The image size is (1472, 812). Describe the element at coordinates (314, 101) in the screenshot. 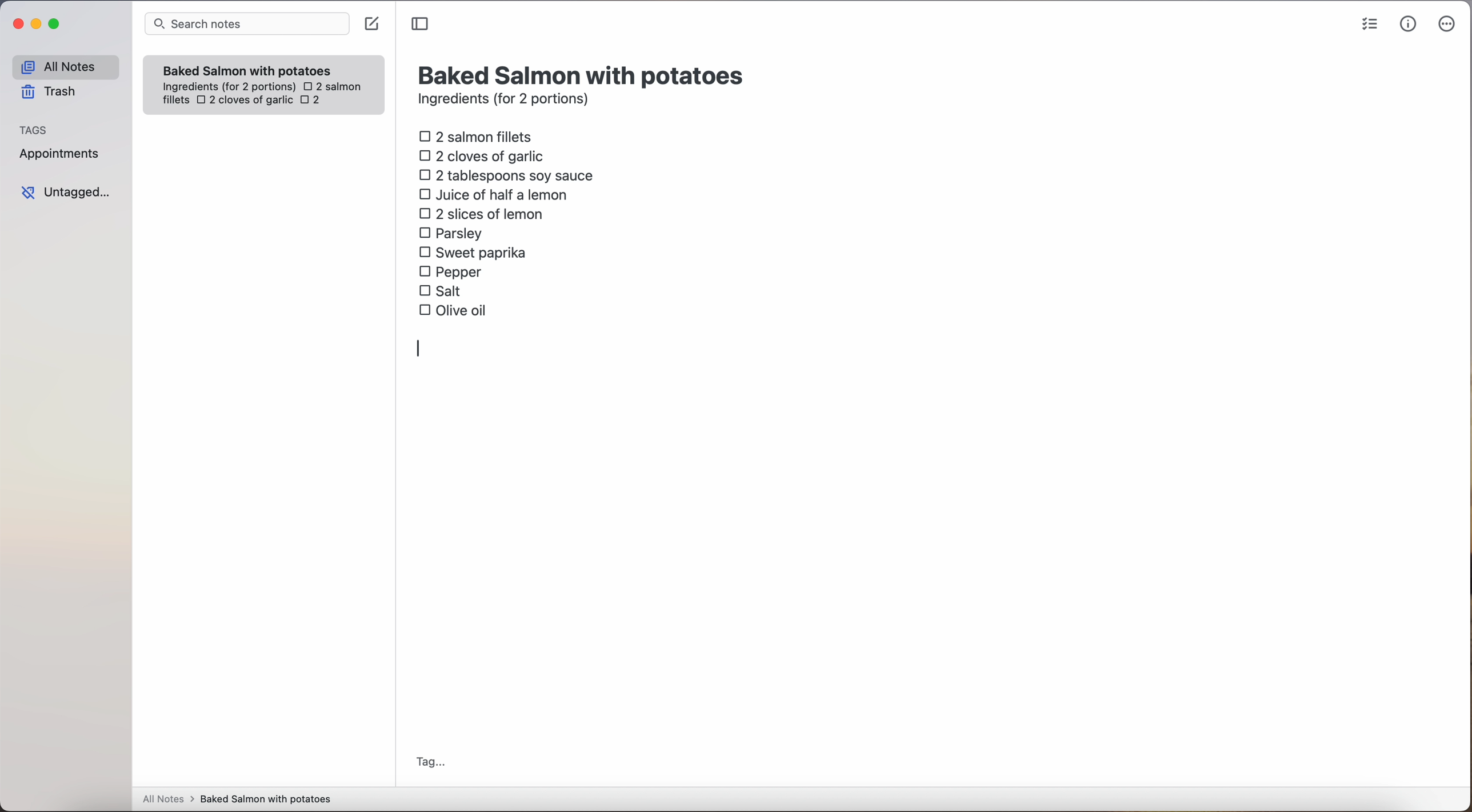

I see `2 ` at that location.